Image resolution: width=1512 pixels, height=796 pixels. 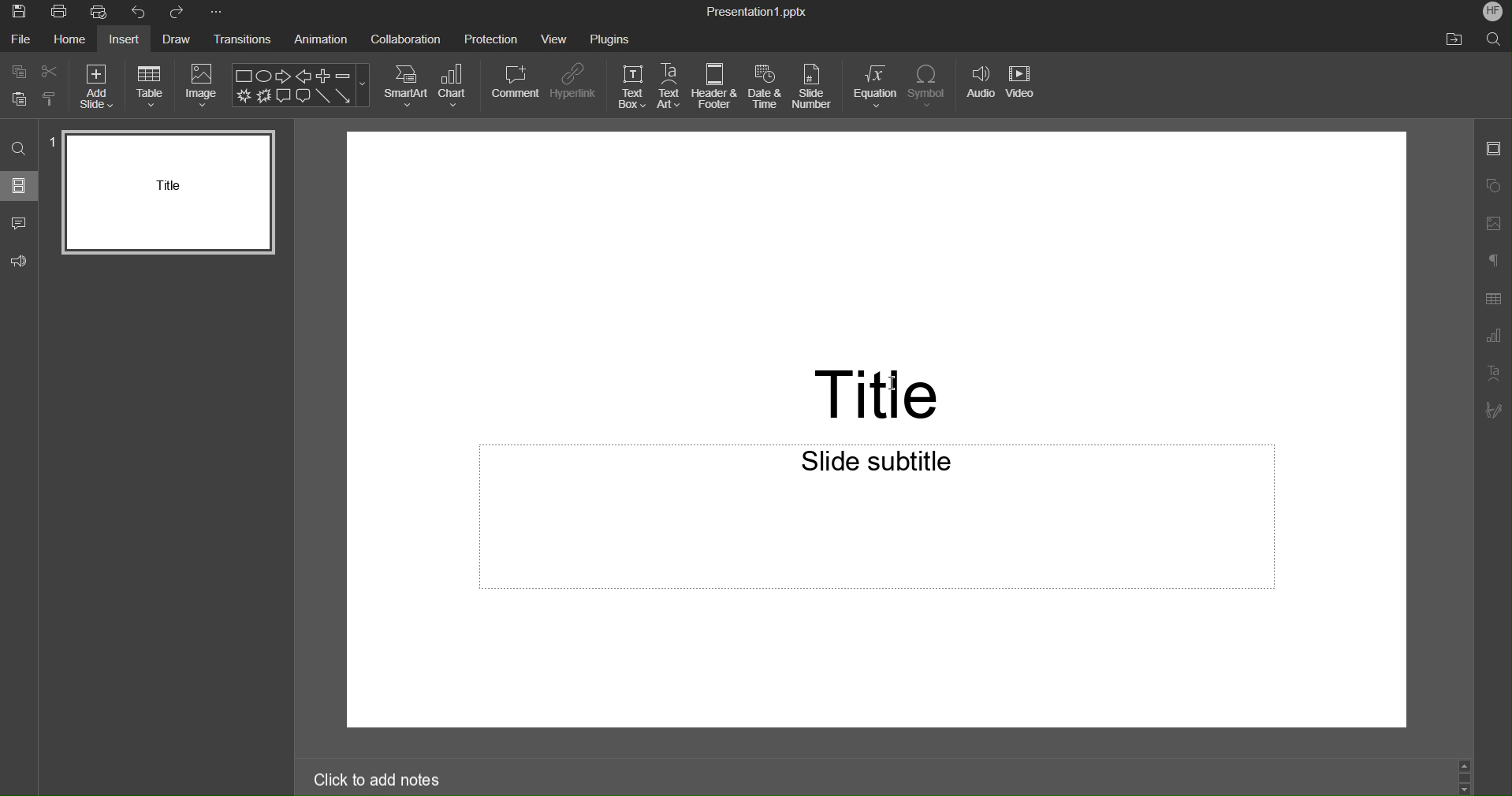 What do you see at coordinates (140, 13) in the screenshot?
I see `Undo` at bounding box center [140, 13].